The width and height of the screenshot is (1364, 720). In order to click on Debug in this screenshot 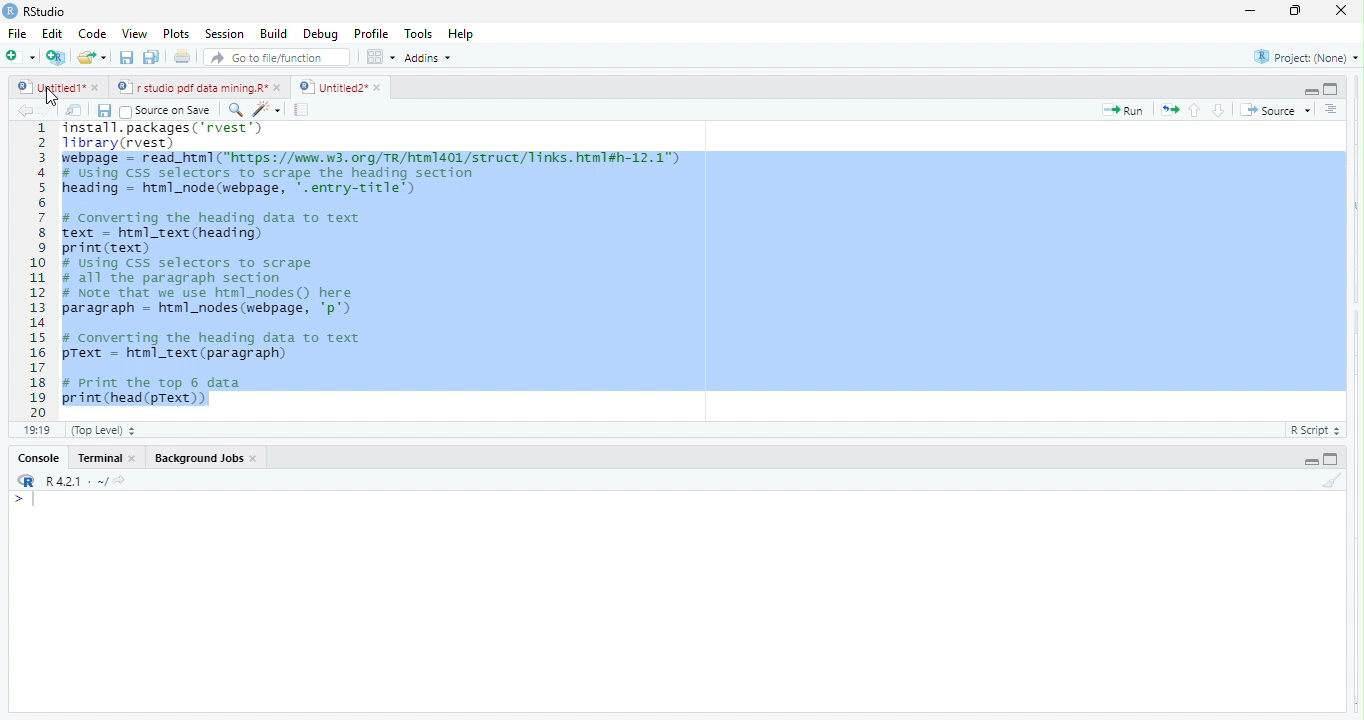, I will do `click(321, 35)`.